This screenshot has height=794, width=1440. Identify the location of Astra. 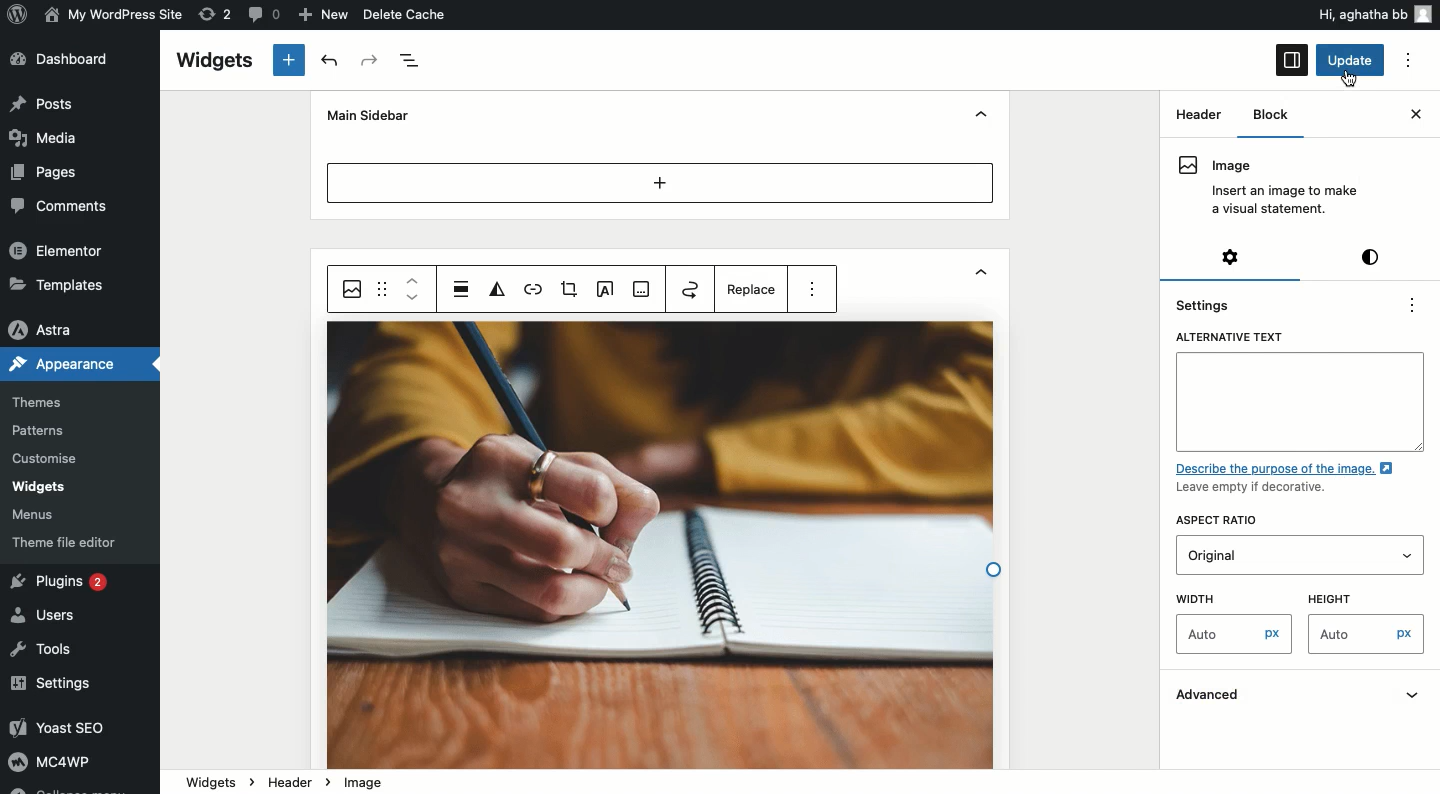
(44, 331).